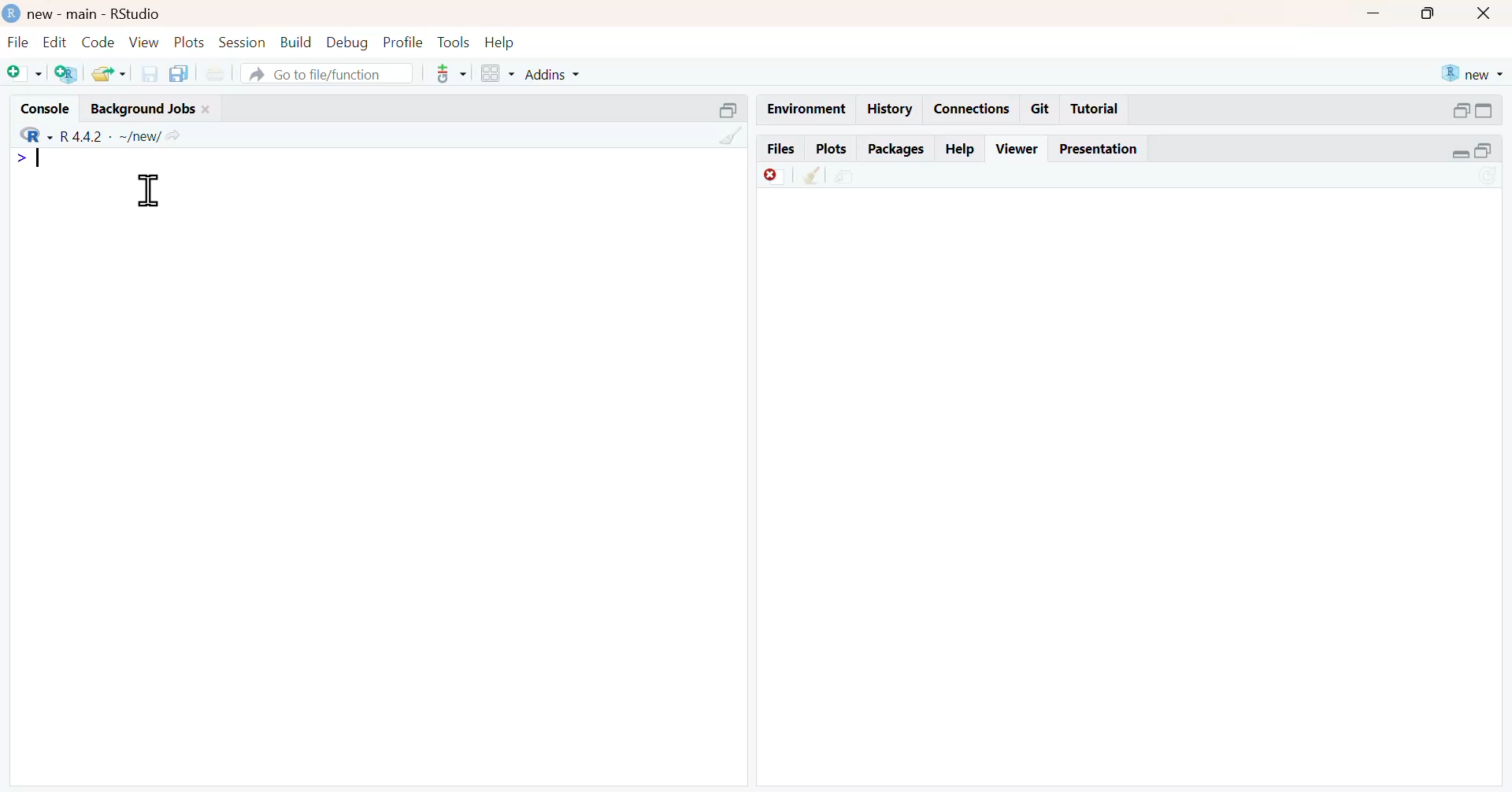  Describe the element at coordinates (328, 75) in the screenshot. I see `go to file/function` at that location.